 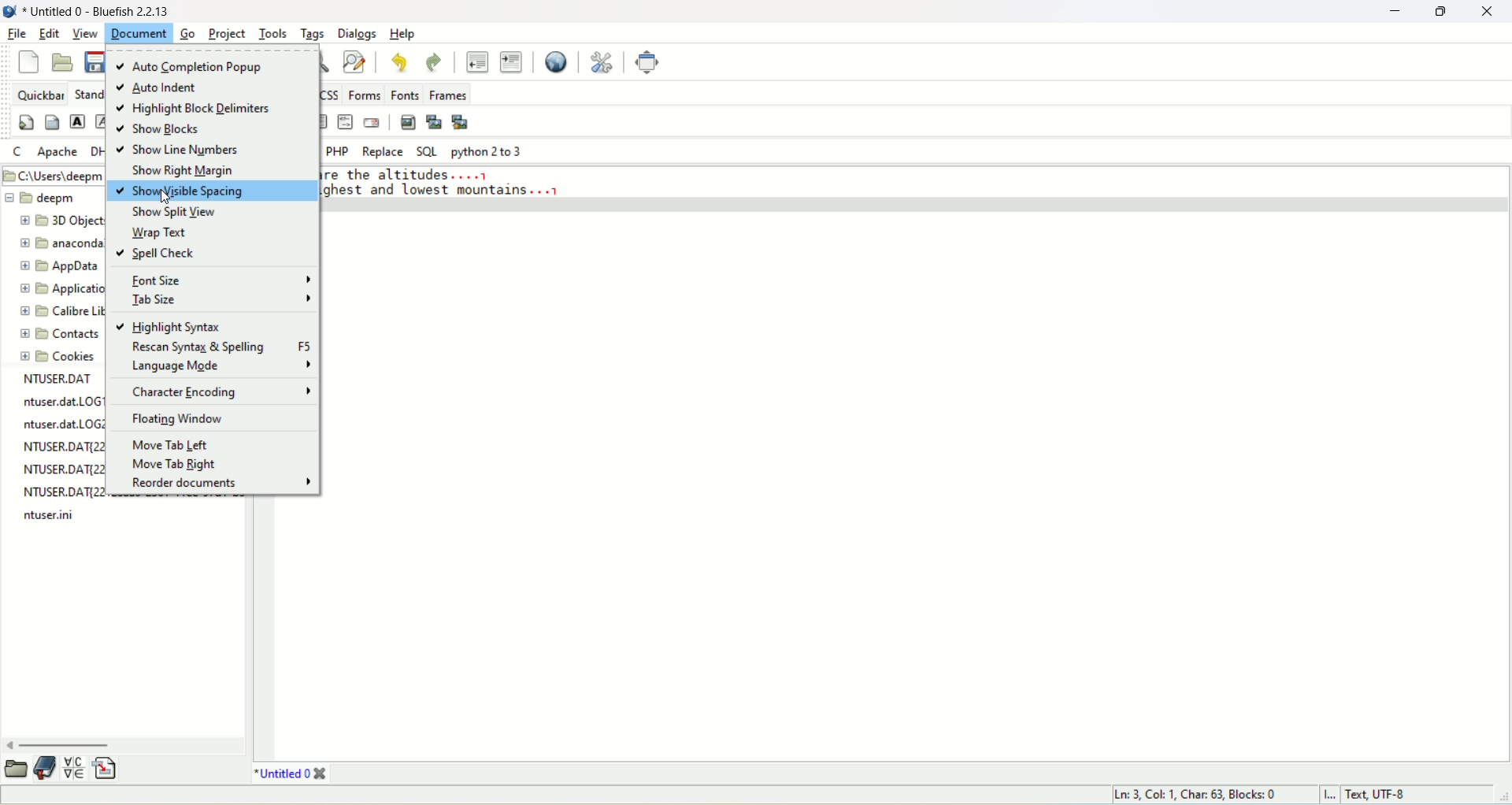 I want to click on quickbar, so click(x=41, y=94).